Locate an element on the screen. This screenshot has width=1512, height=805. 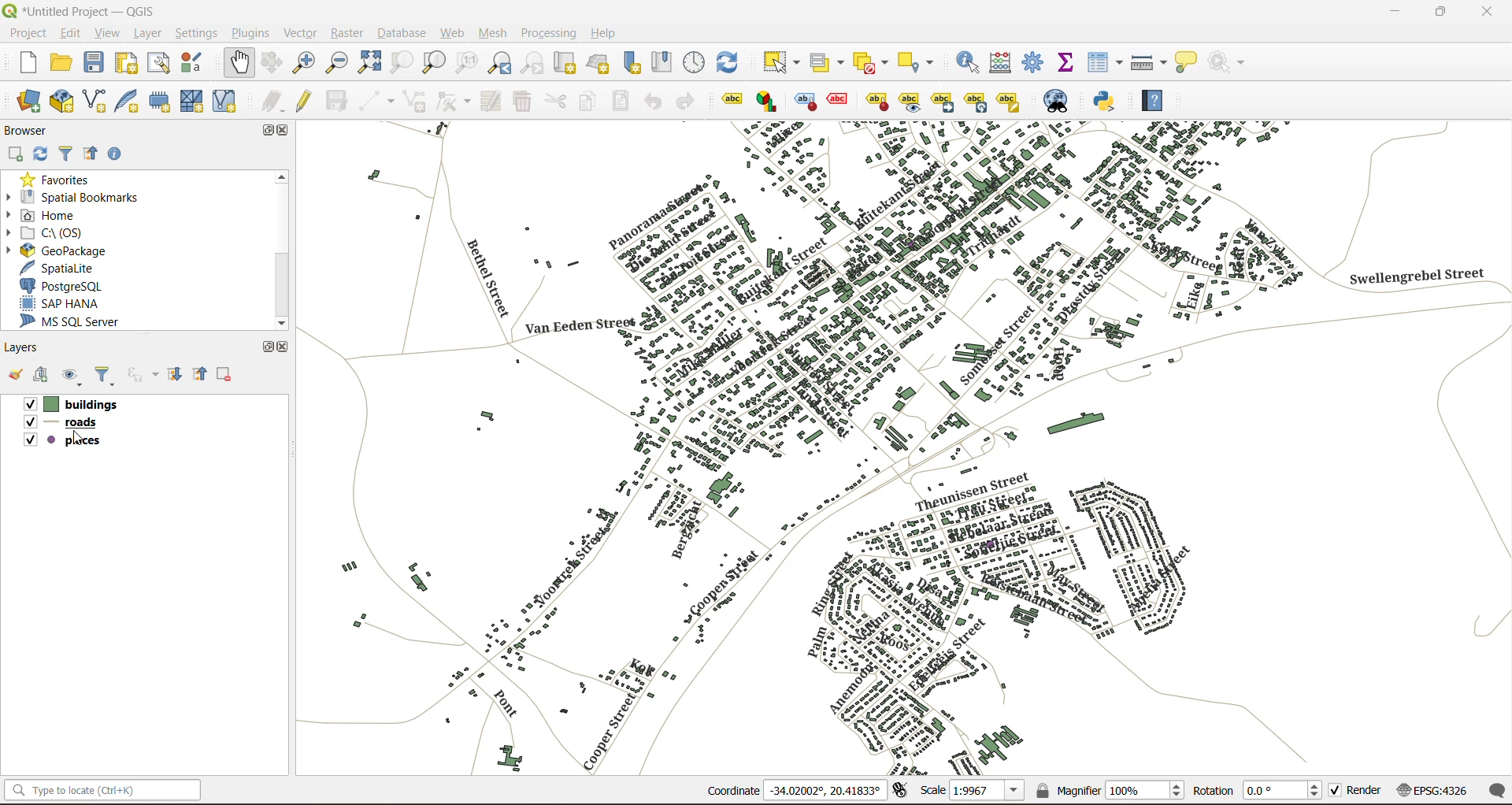
new spatial bookmark is located at coordinates (636, 65).